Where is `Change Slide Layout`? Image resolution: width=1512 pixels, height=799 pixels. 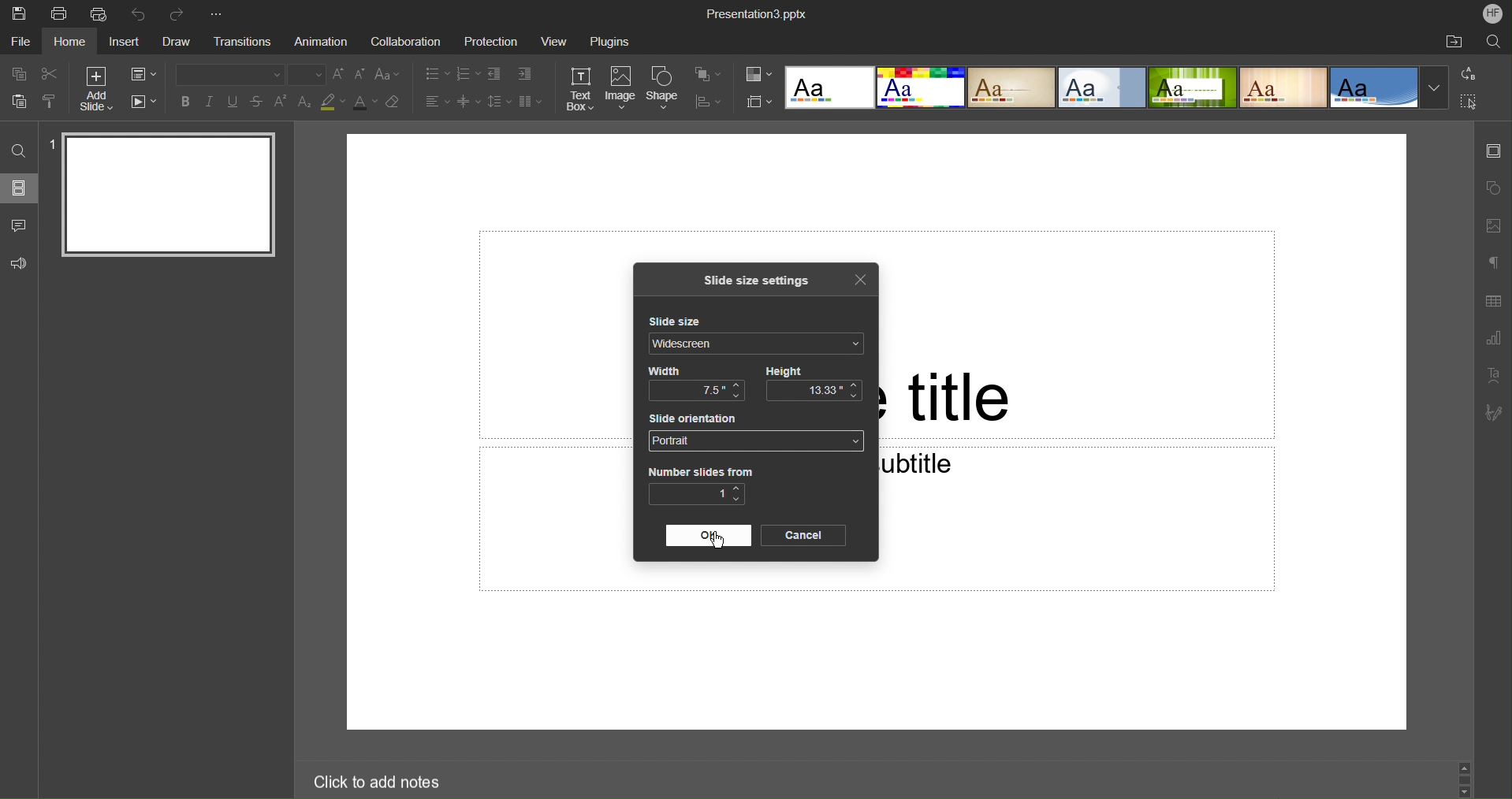 Change Slide Layout is located at coordinates (145, 74).